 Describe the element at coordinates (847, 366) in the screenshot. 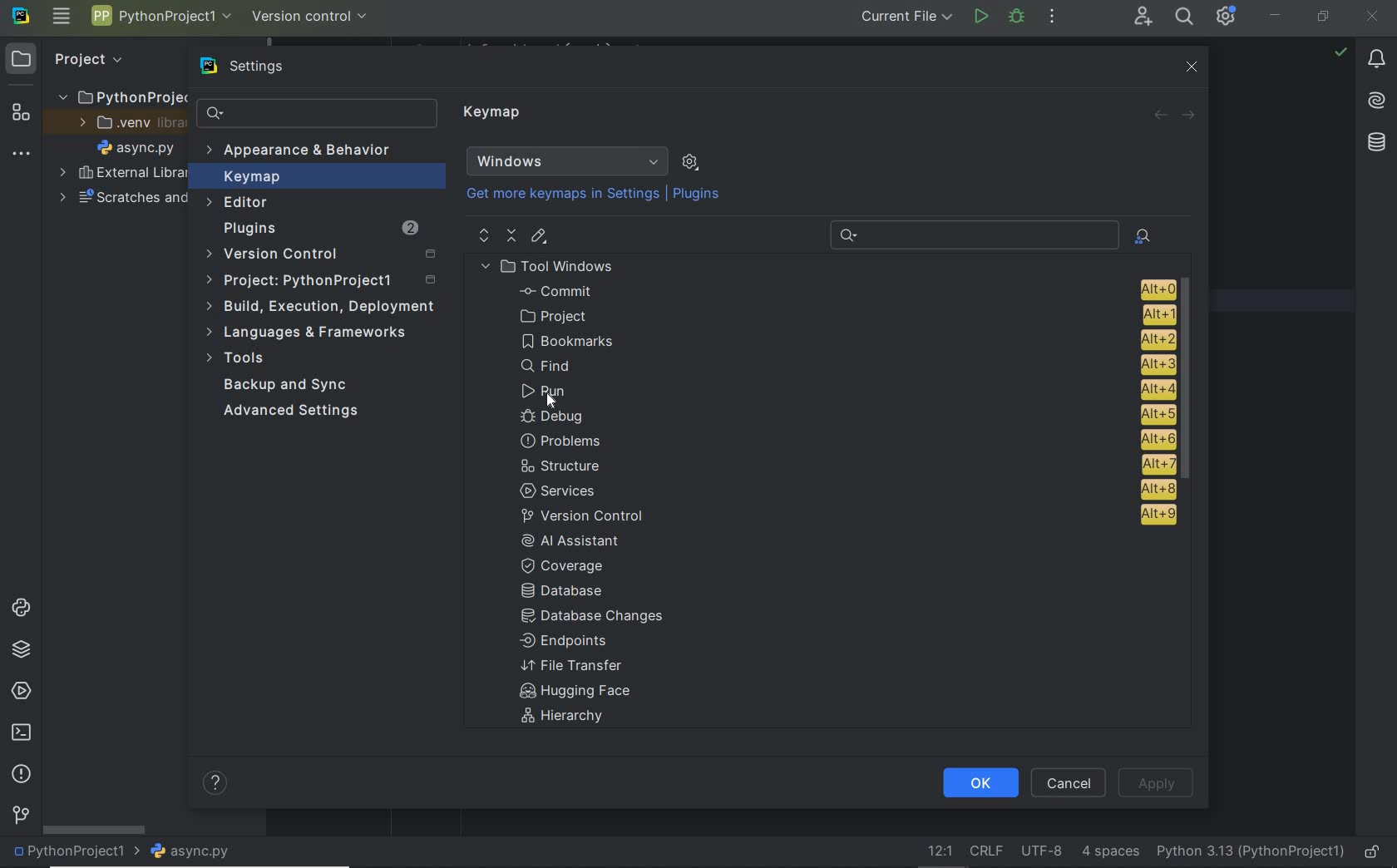

I see `Find` at that location.